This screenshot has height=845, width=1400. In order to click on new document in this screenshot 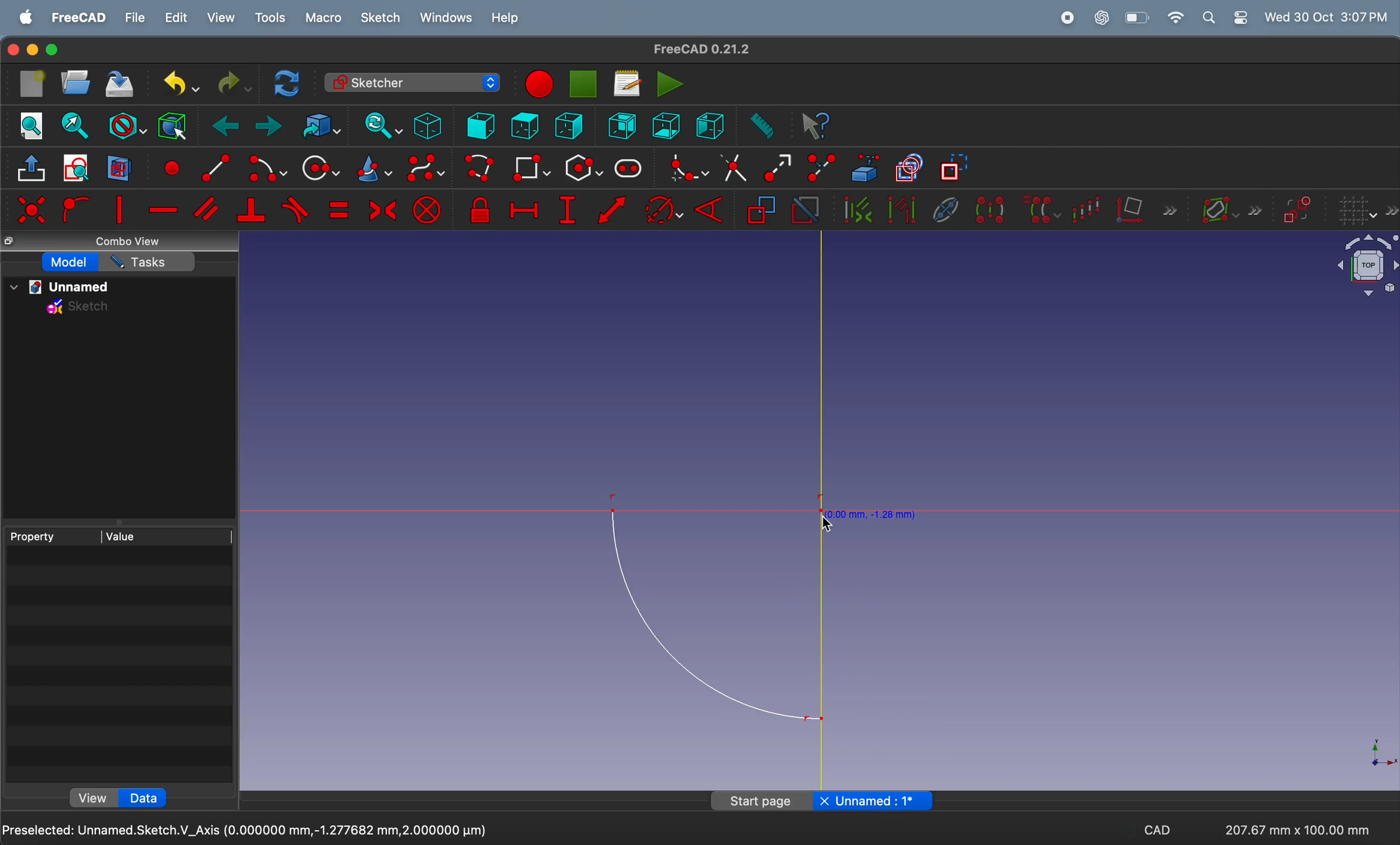, I will do `click(34, 84)`.